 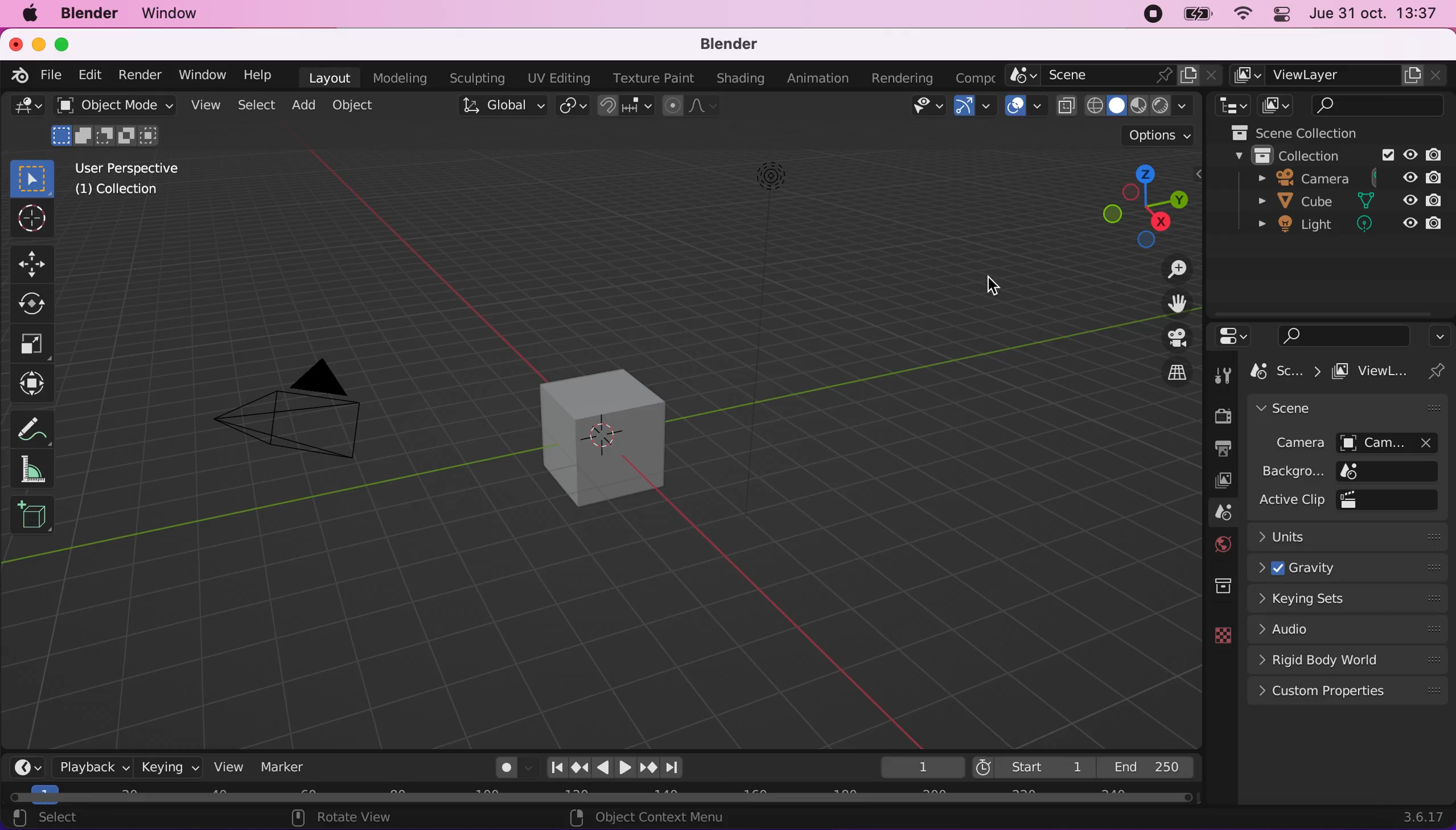 What do you see at coordinates (1152, 767) in the screenshot?
I see `end 250` at bounding box center [1152, 767].